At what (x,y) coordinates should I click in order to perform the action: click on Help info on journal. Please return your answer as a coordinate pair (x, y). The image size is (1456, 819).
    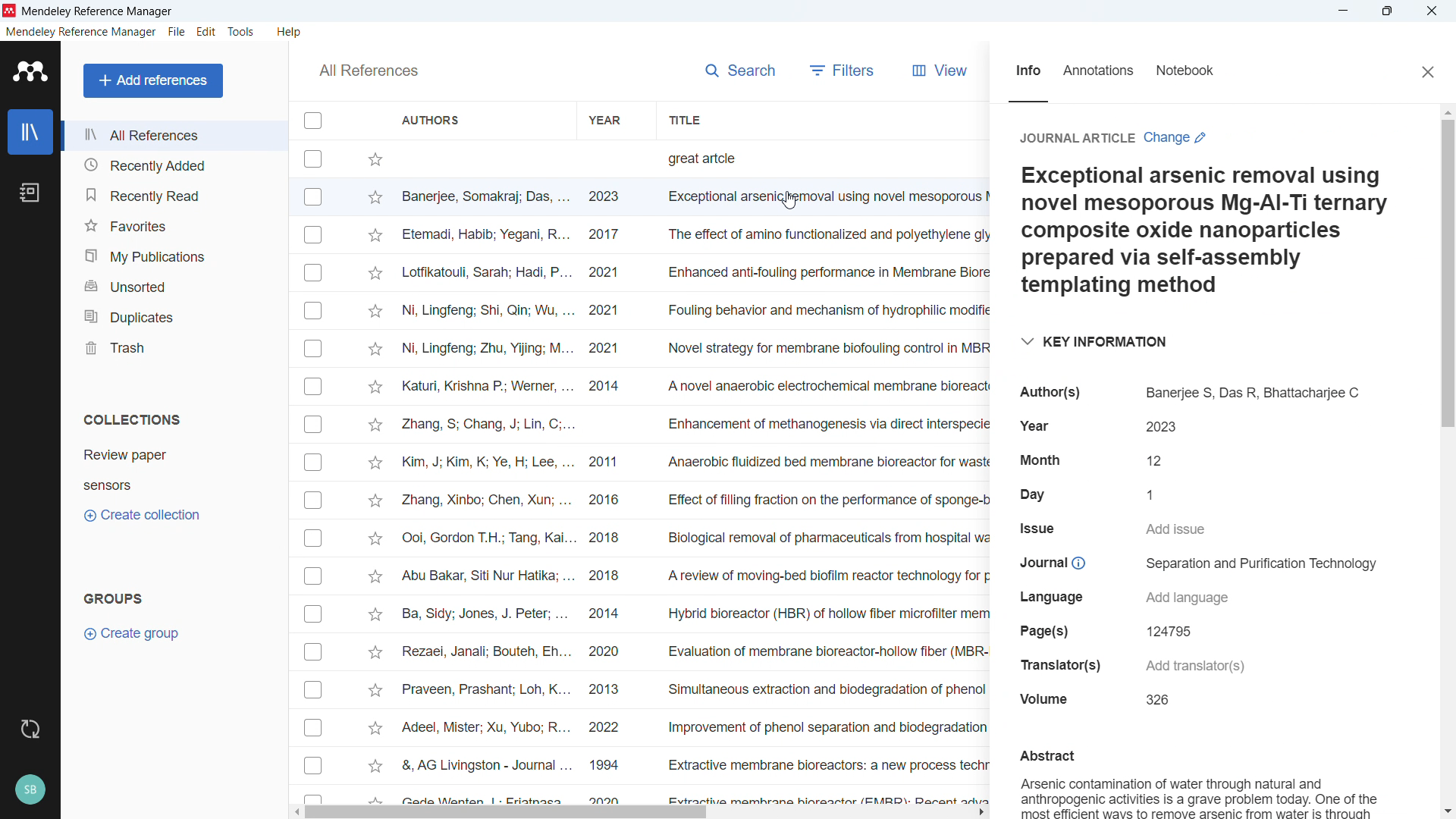
    Looking at the image, I should click on (1078, 564).